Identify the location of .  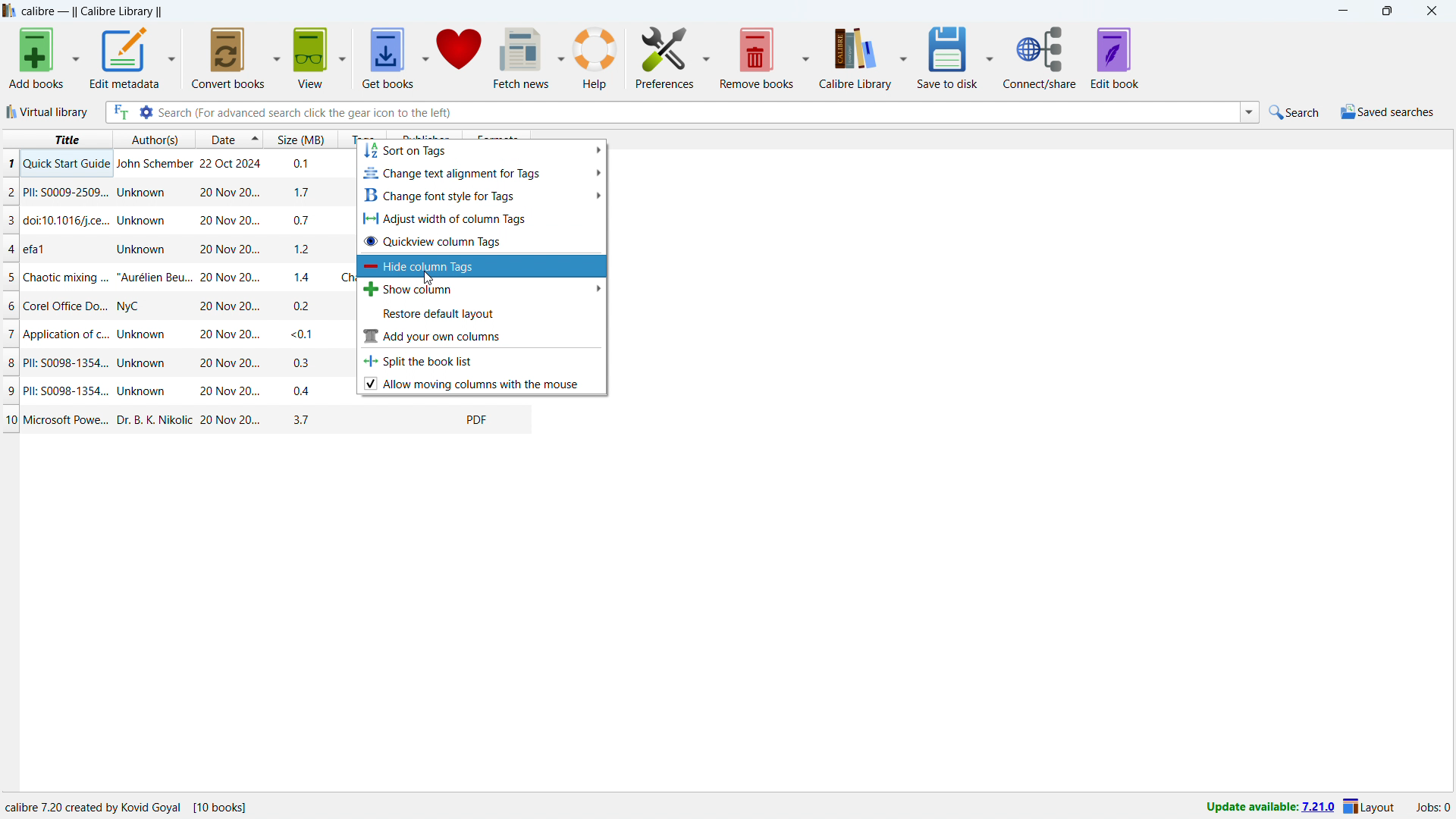
(460, 56).